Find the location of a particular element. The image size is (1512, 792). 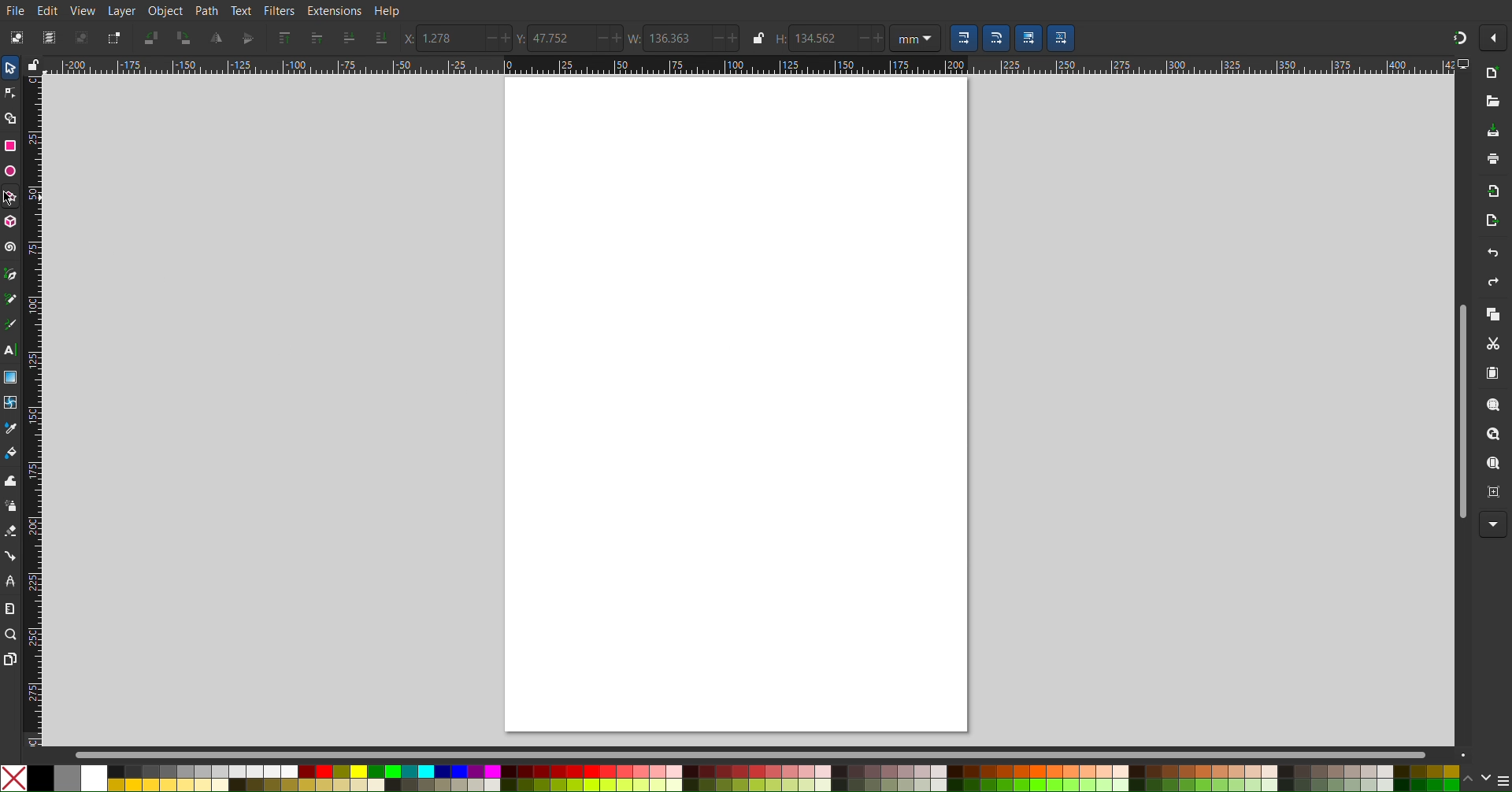

Spiral is located at coordinates (11, 246).